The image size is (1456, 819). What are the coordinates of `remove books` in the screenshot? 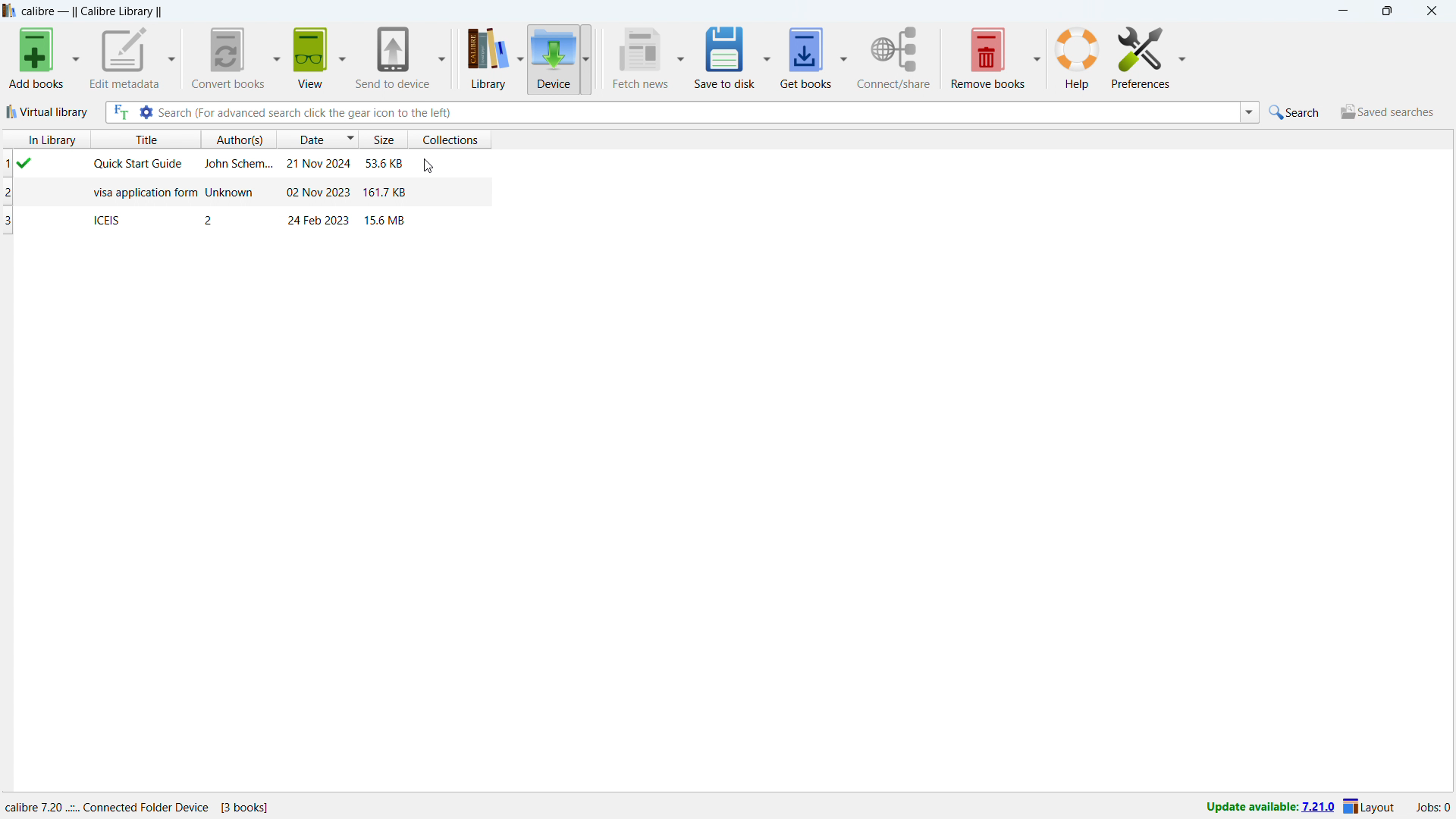 It's located at (987, 56).